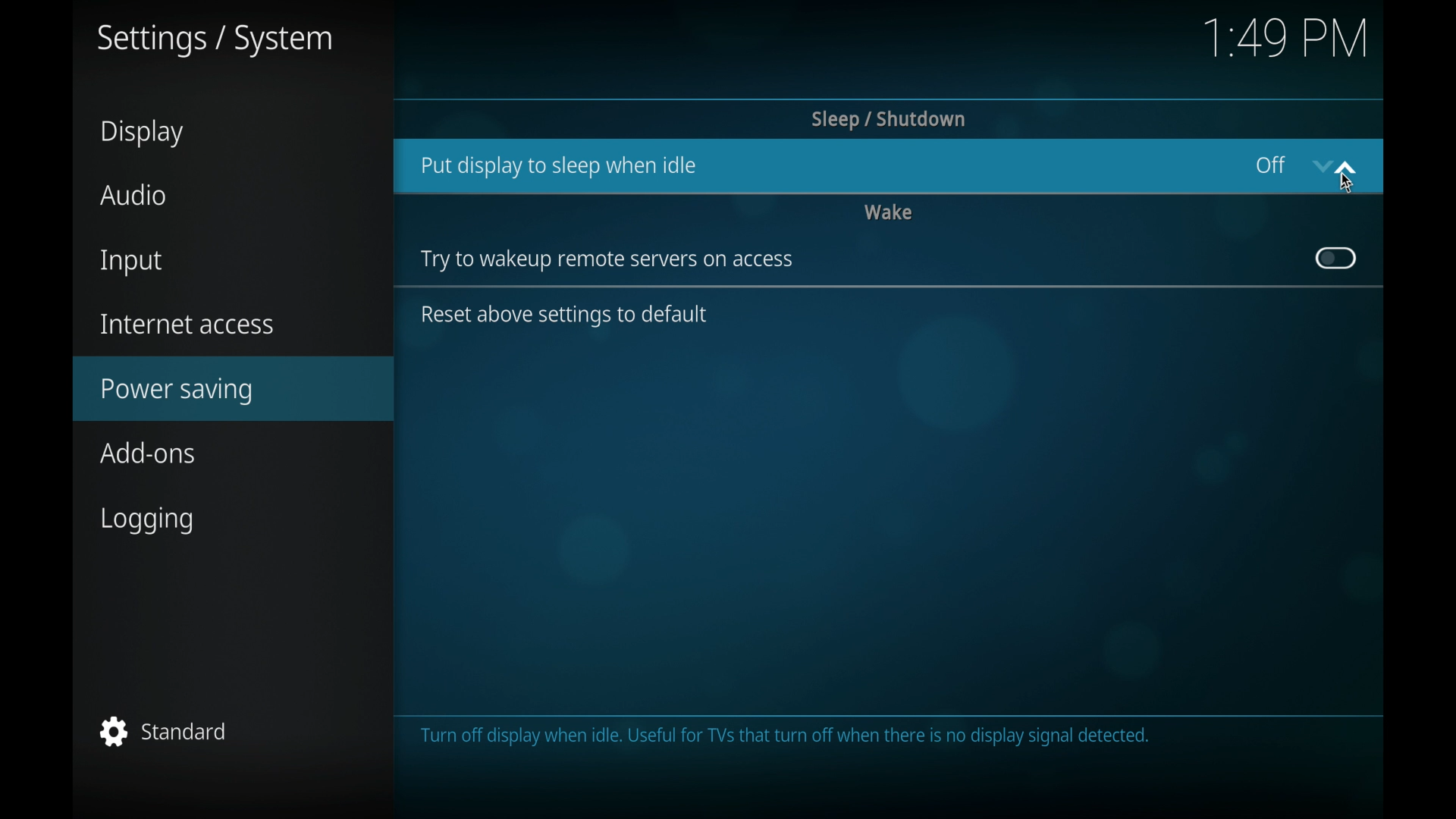  I want to click on time, so click(1285, 37).